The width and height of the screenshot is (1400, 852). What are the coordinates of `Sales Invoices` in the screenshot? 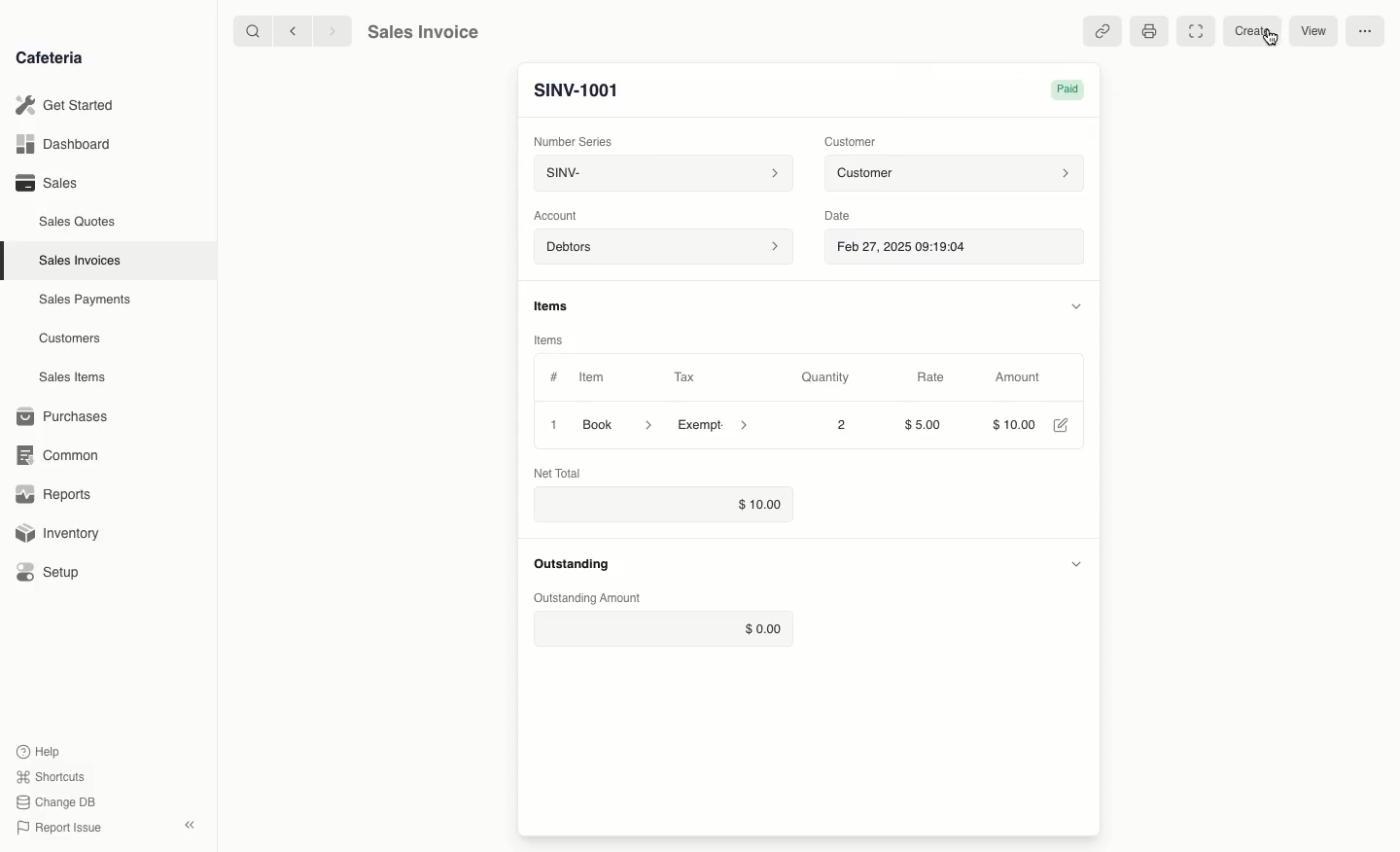 It's located at (80, 262).